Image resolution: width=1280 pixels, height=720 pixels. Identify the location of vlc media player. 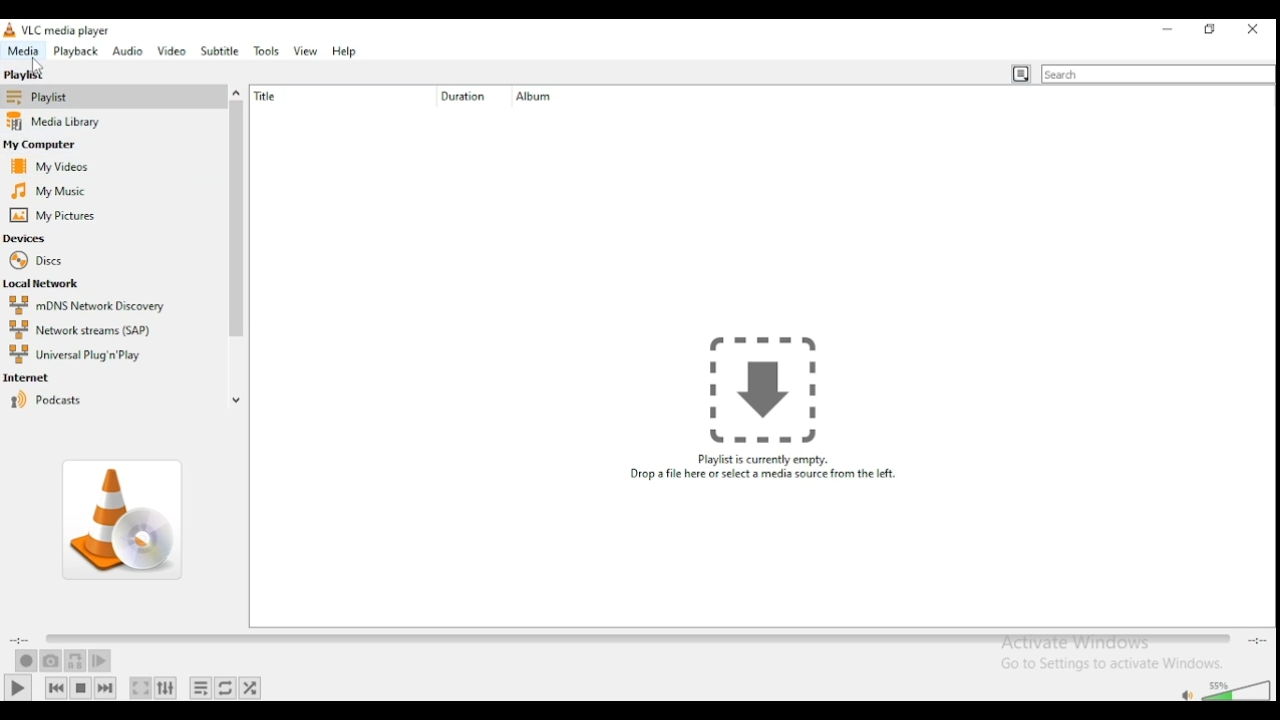
(68, 30).